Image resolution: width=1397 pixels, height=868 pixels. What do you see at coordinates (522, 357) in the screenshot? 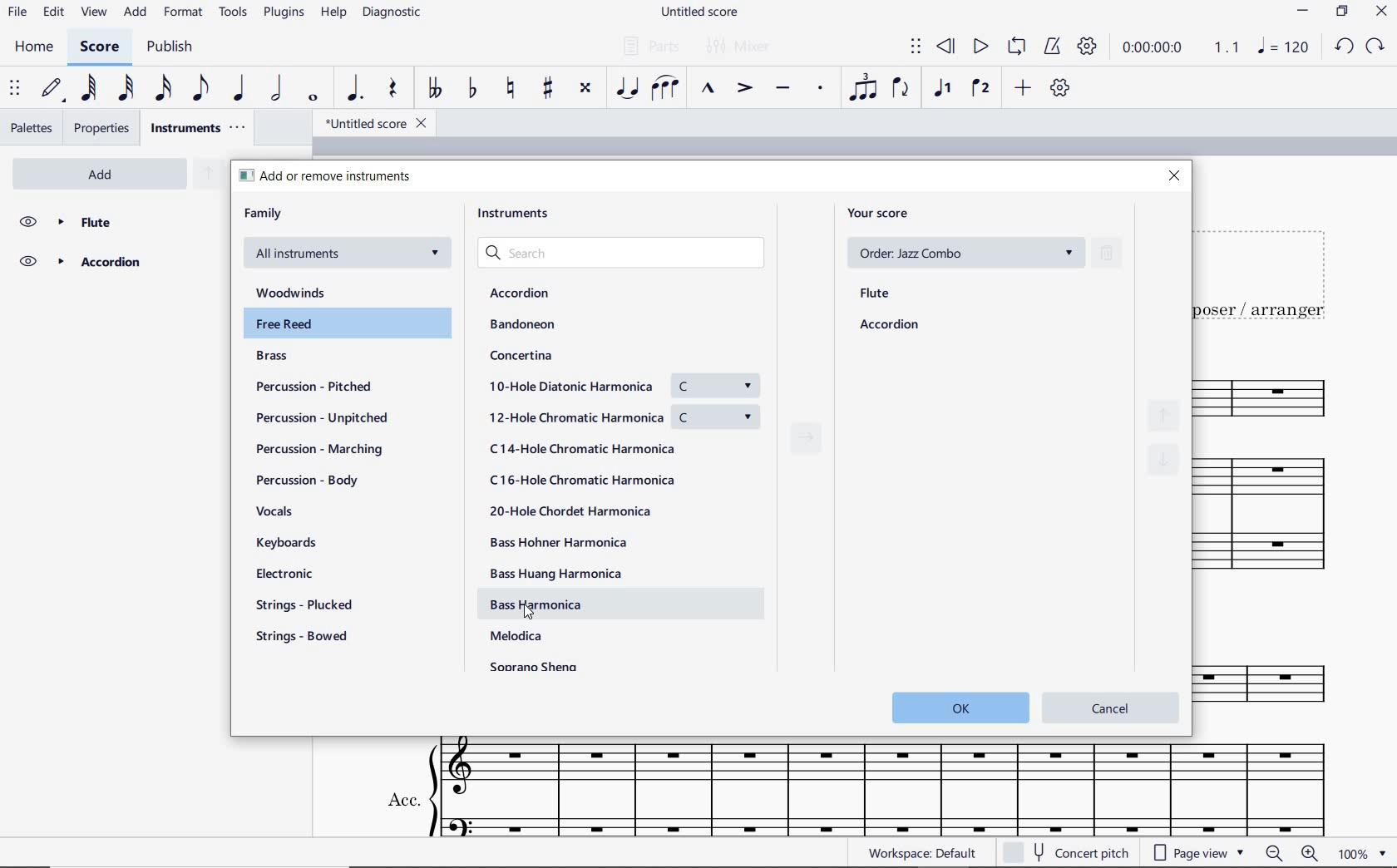
I see `Concertina` at bounding box center [522, 357].